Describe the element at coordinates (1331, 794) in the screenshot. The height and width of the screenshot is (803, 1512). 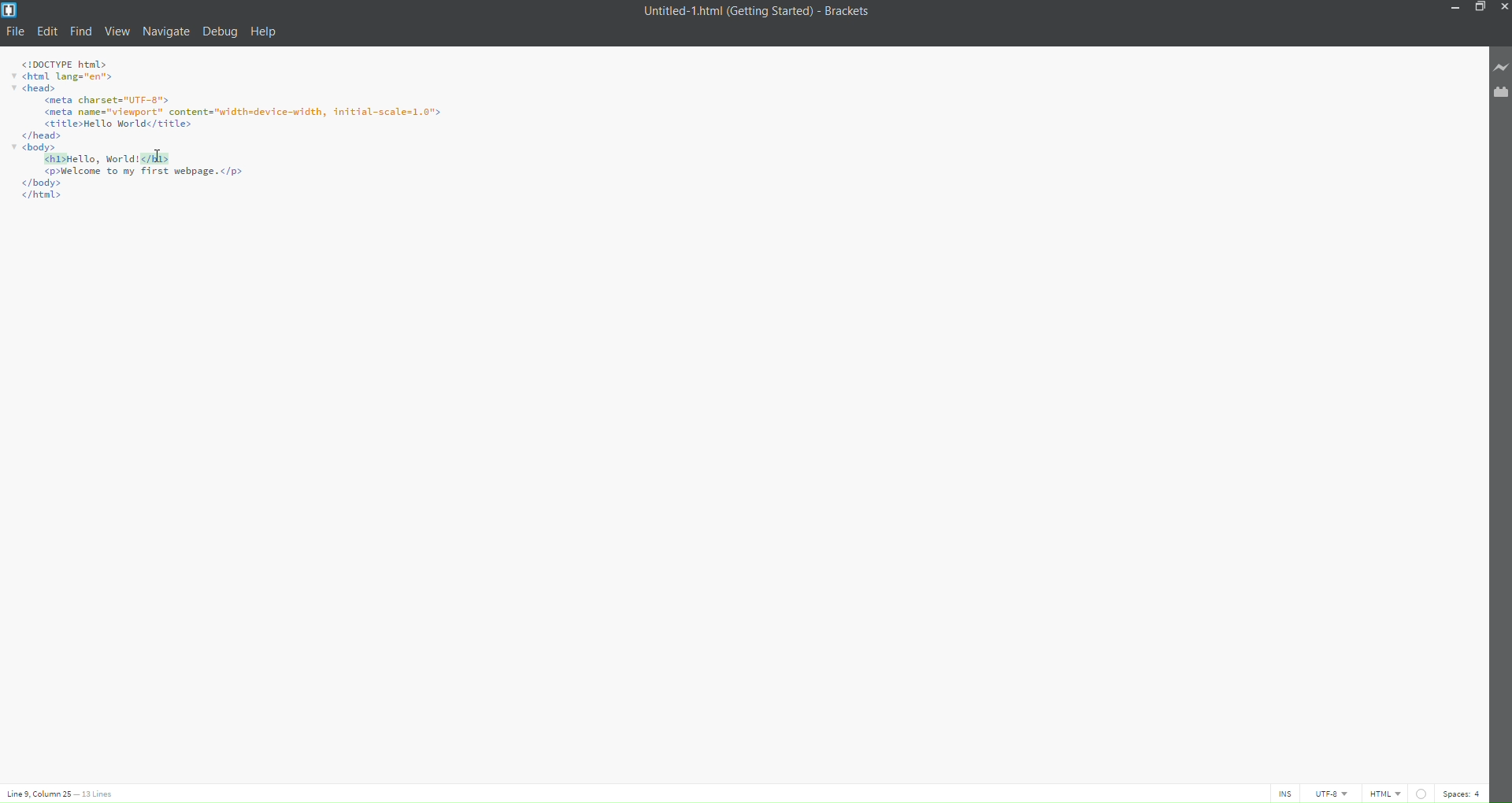
I see `utf-8` at that location.